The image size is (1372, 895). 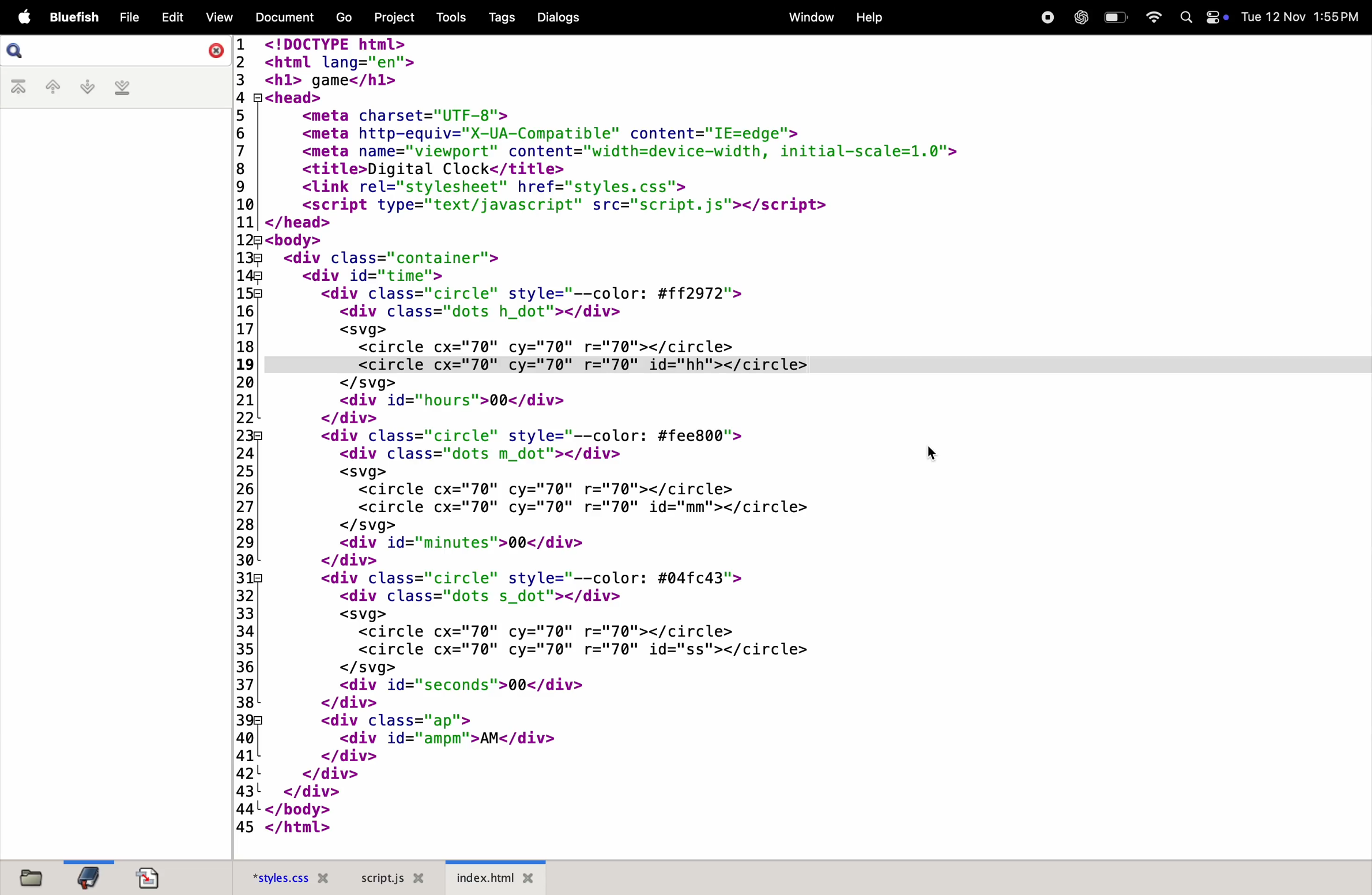 I want to click on files, so click(x=31, y=878).